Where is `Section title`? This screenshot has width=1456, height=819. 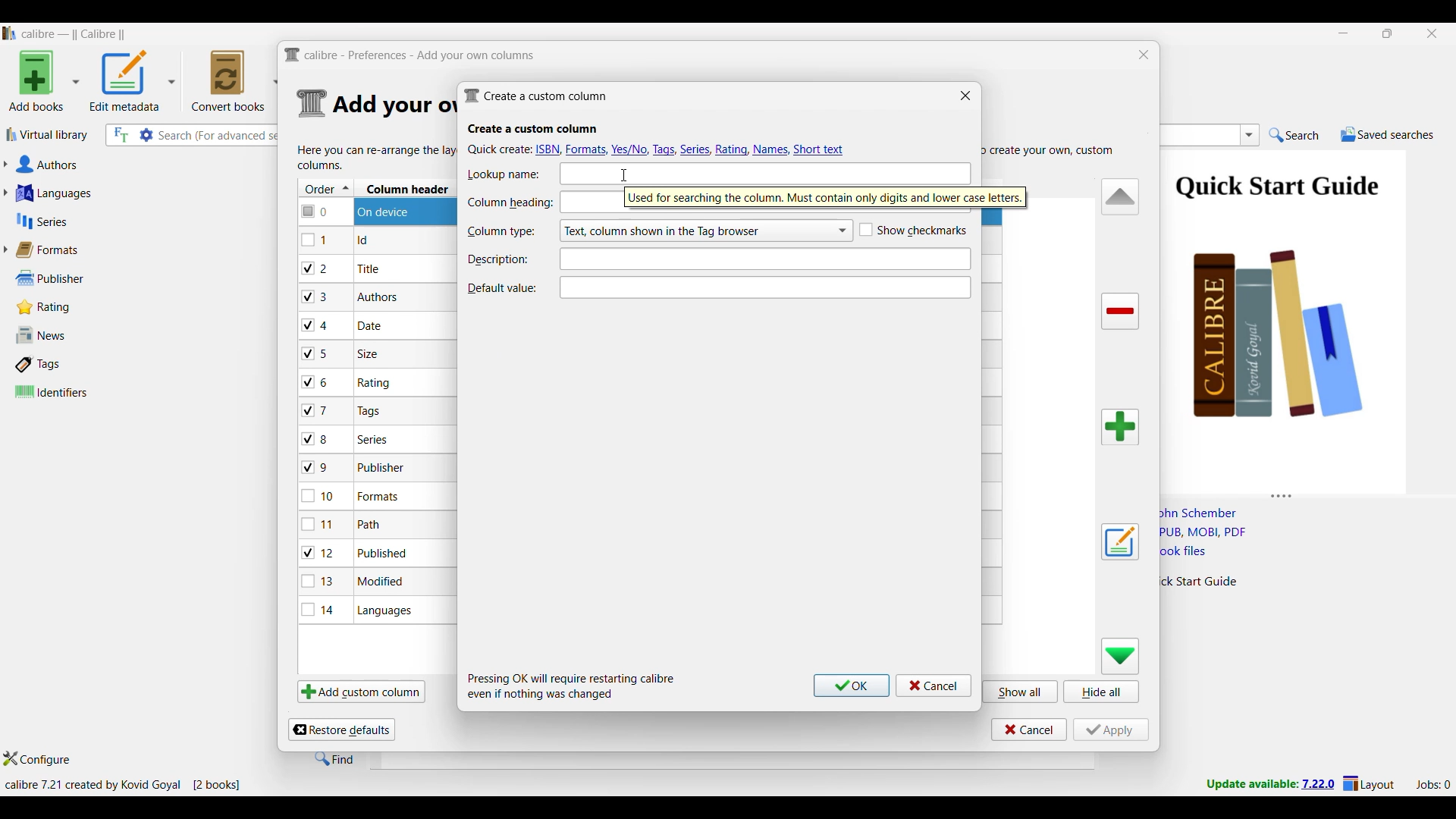
Section title is located at coordinates (533, 129).